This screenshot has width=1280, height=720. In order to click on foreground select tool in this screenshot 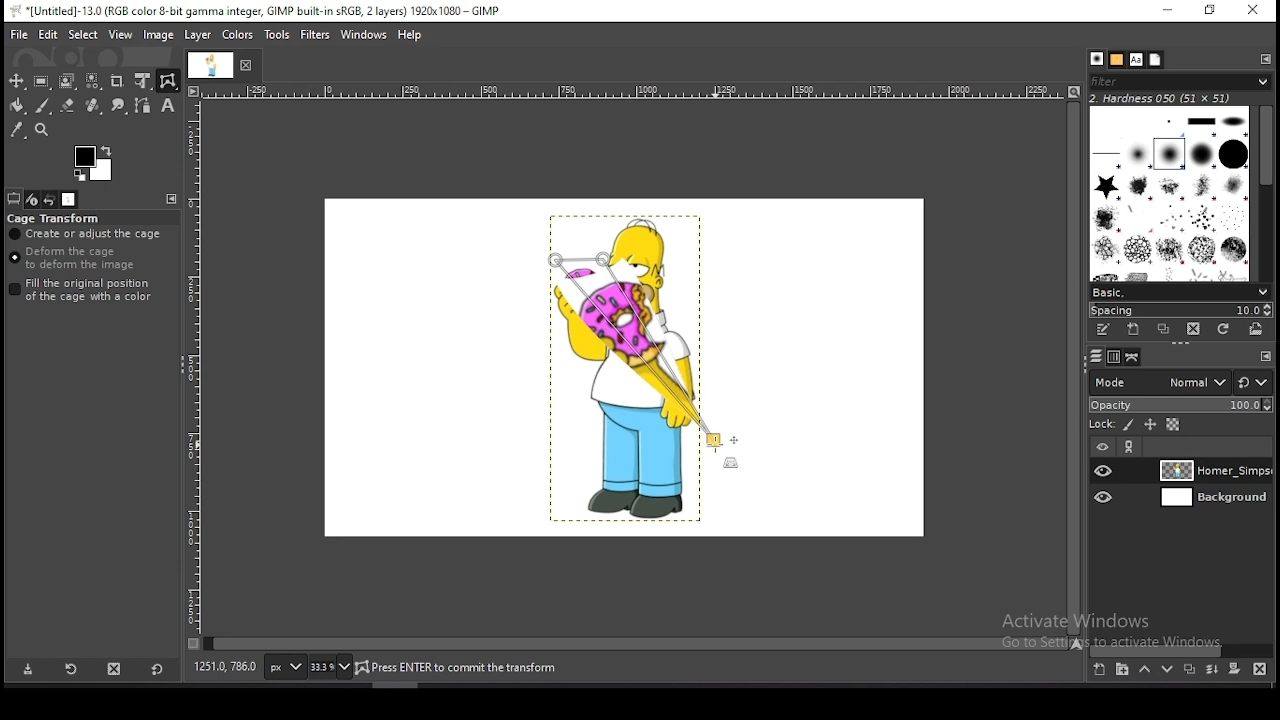, I will do `click(67, 81)`.